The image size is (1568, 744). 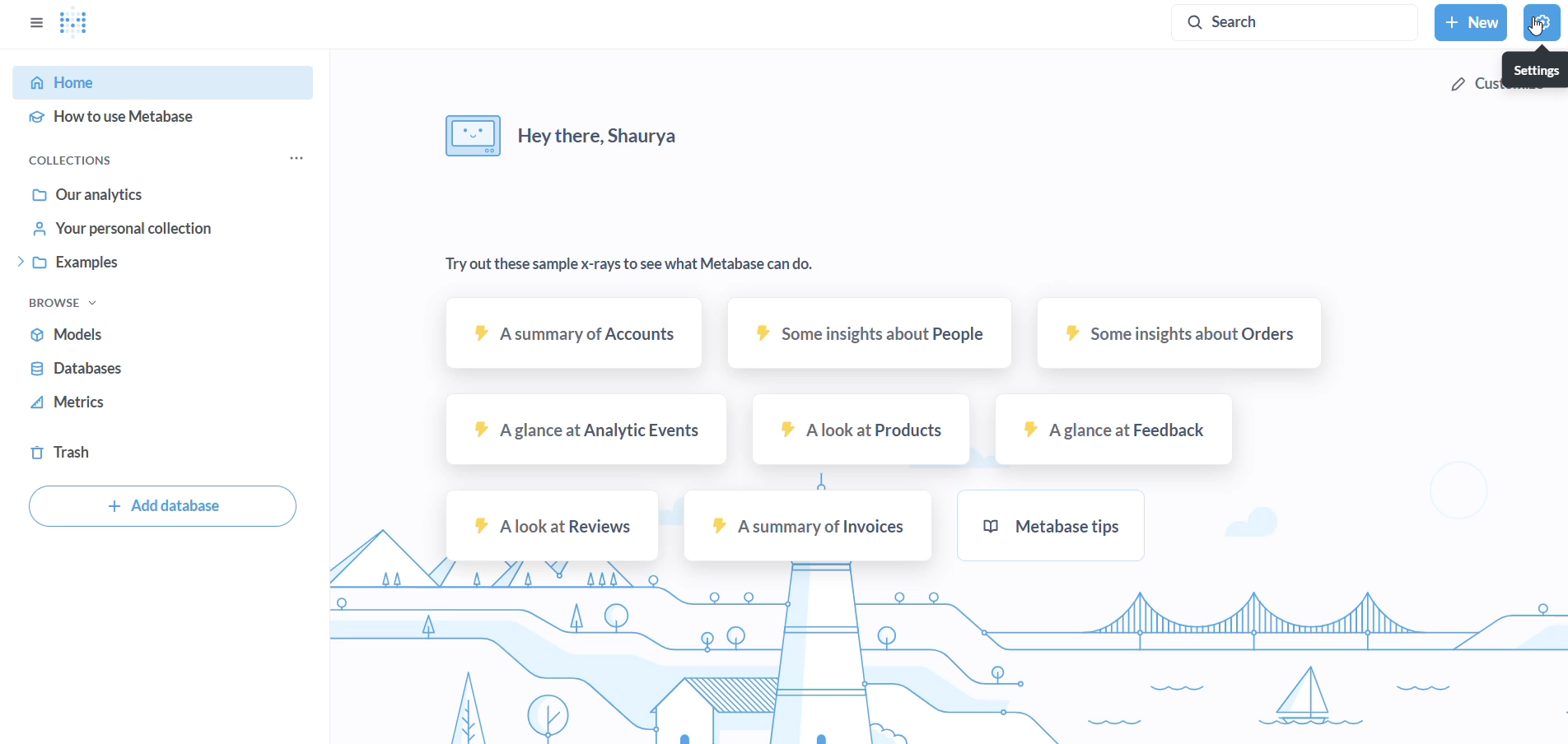 I want to click on Try out these sample x-rays to see what Metabase can do., so click(x=640, y=264).